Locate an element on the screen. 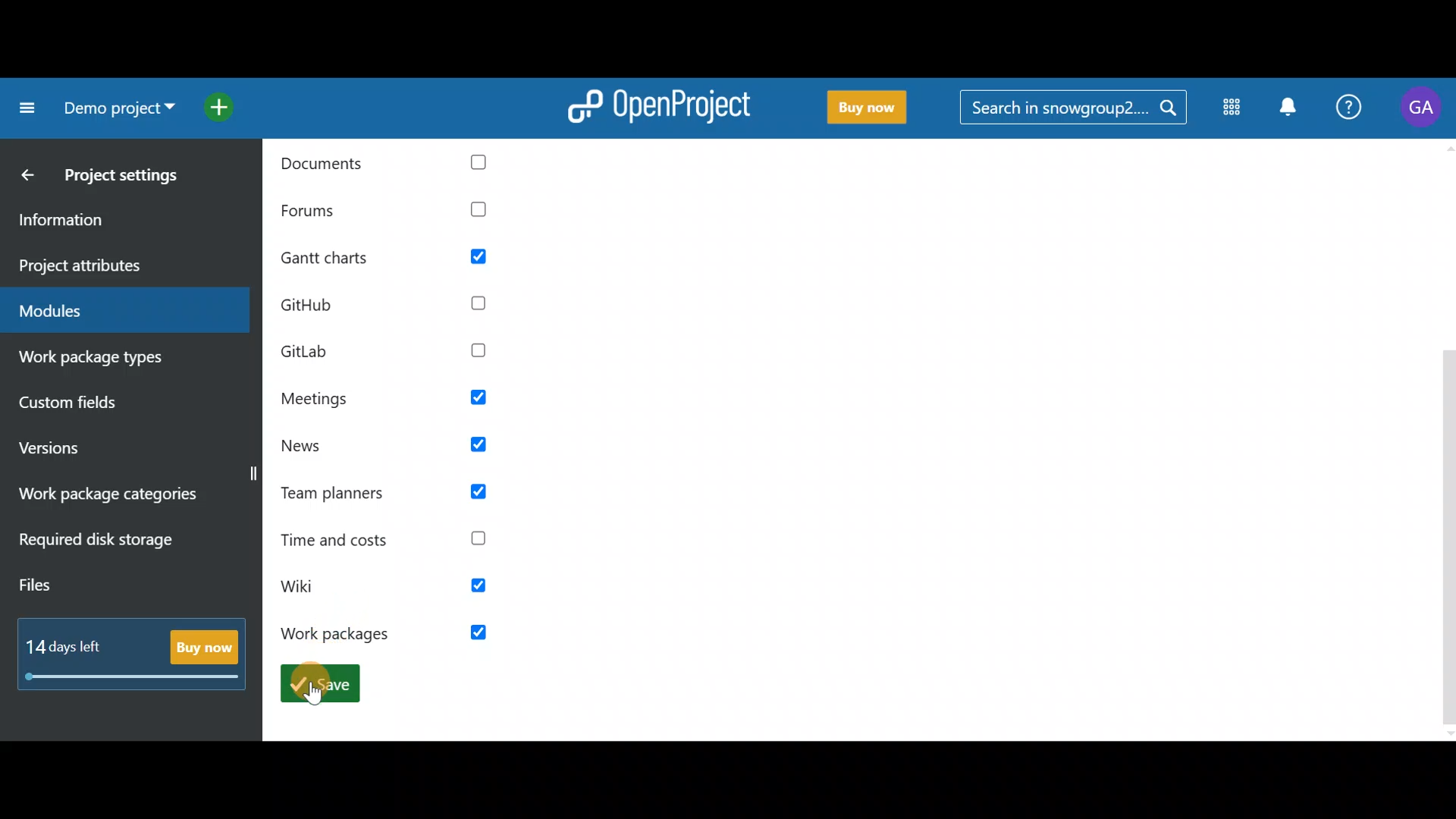 The image size is (1456, 819). Account name is located at coordinates (1419, 111).